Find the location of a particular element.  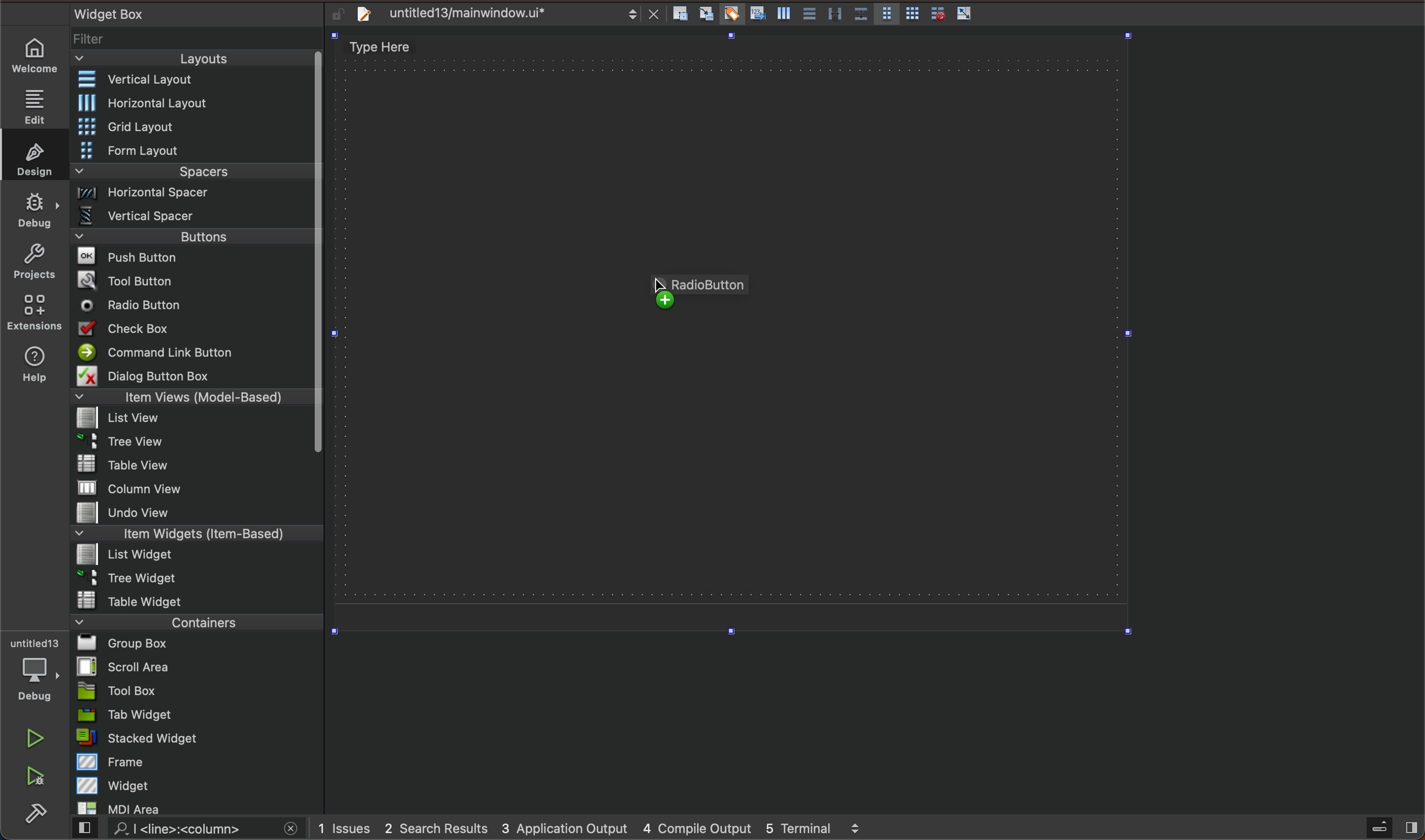

search is located at coordinates (183, 829).